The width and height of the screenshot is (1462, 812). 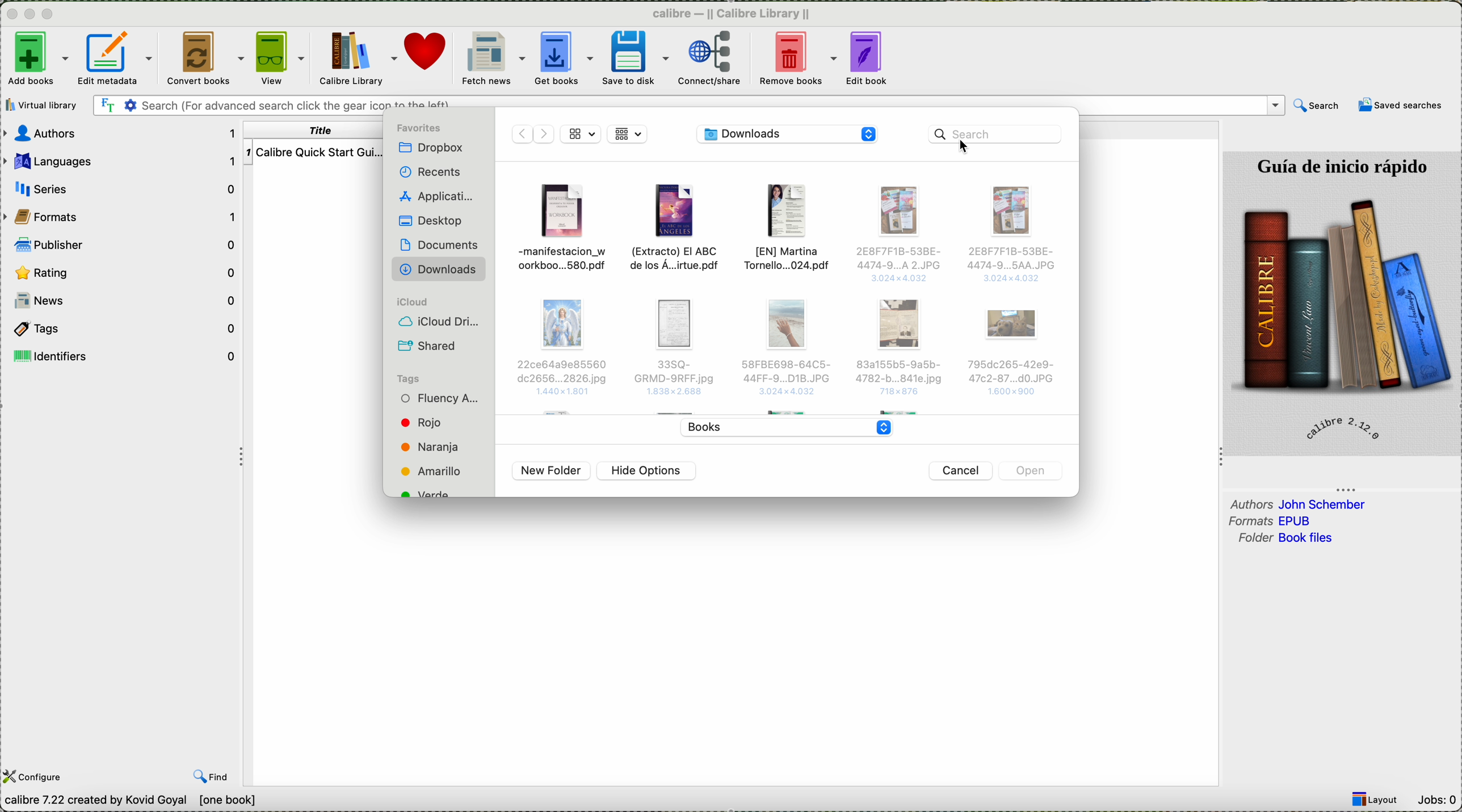 What do you see at coordinates (866, 57) in the screenshot?
I see `edit book` at bounding box center [866, 57].